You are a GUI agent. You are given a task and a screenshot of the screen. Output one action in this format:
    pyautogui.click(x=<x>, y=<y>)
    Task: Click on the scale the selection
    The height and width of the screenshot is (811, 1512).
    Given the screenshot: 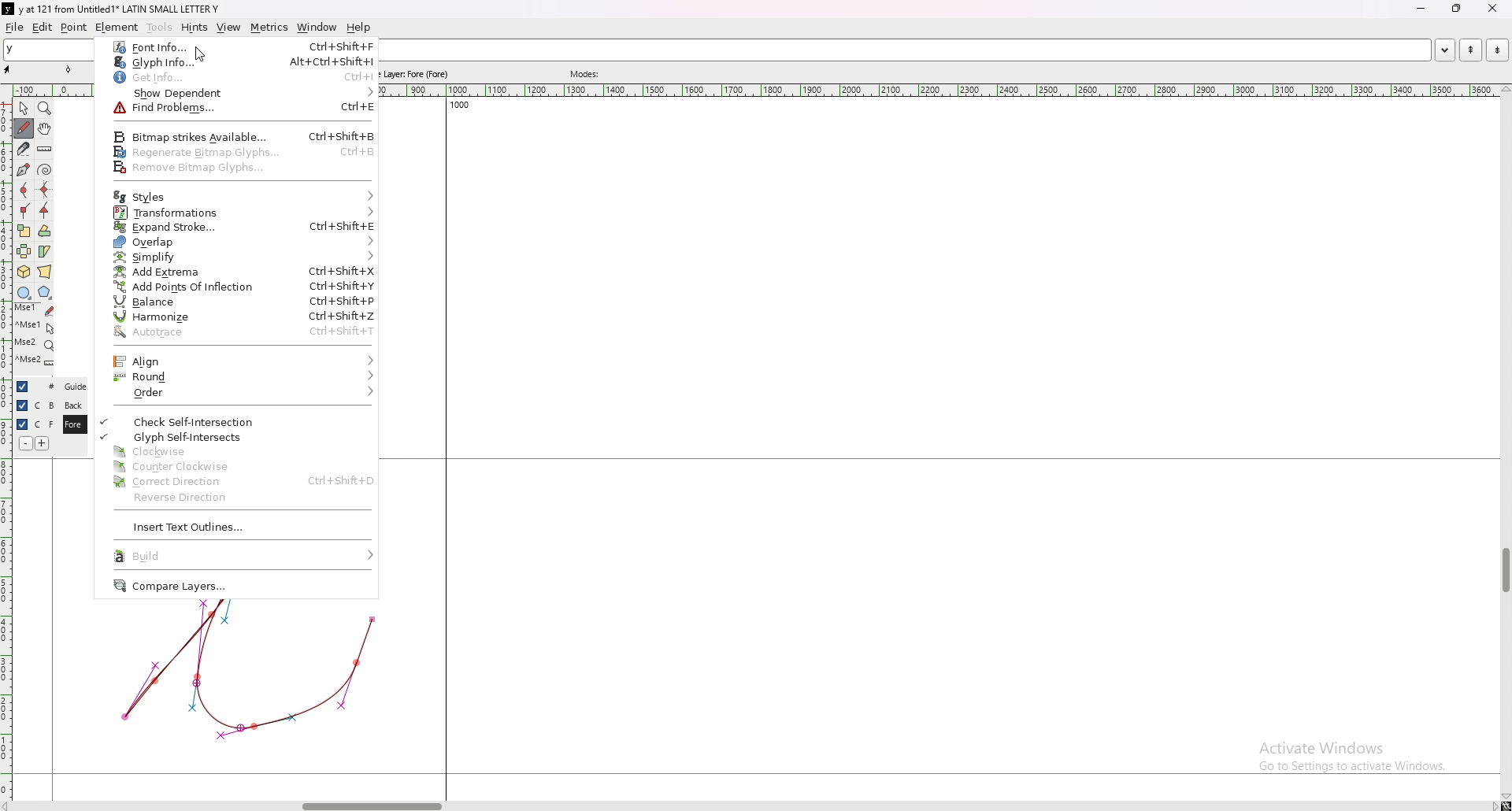 What is the action you would take?
    pyautogui.click(x=24, y=231)
    